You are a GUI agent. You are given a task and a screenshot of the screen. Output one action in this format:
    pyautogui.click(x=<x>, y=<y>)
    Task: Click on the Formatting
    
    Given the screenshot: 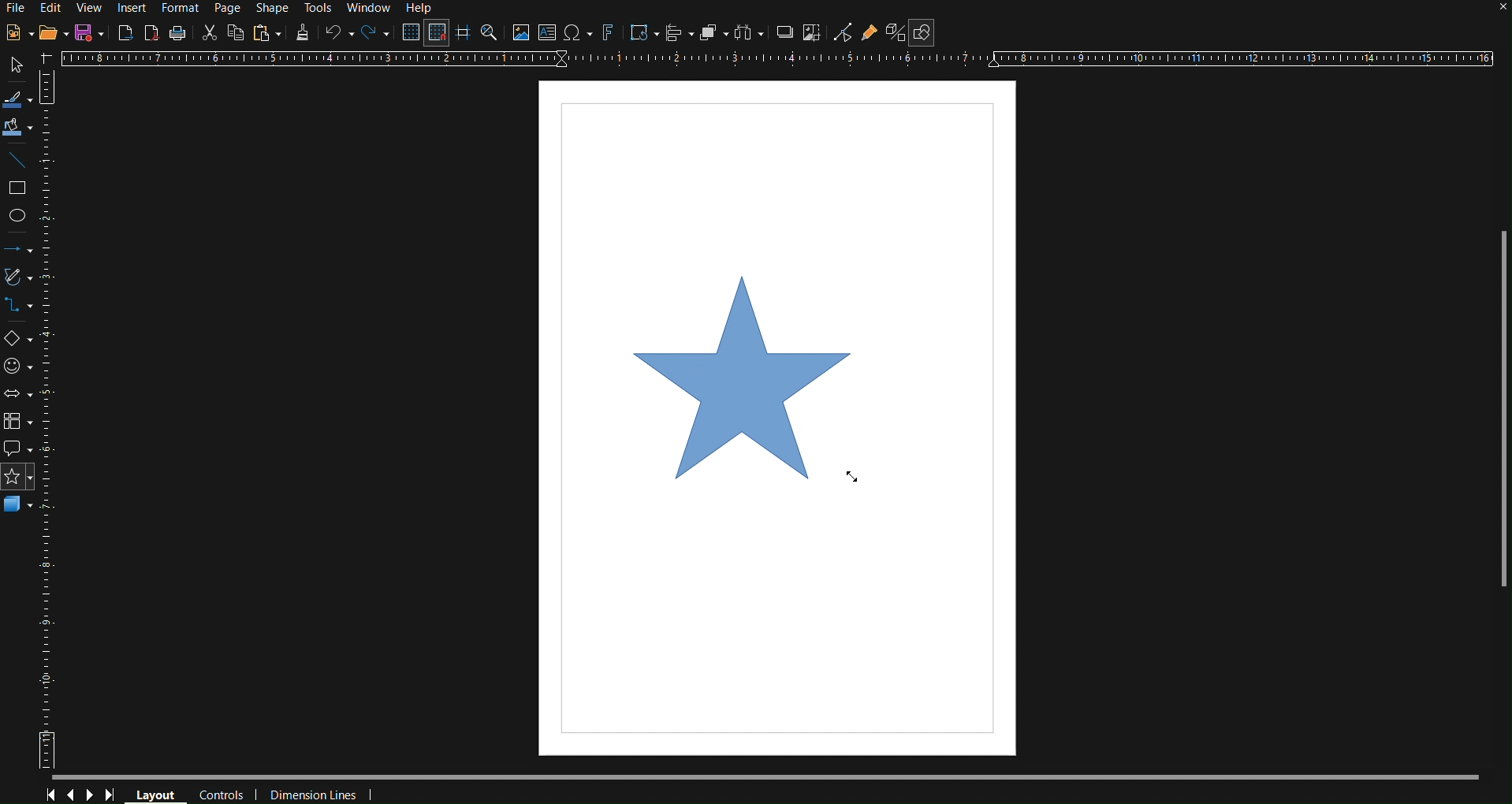 What is the action you would take?
    pyautogui.click(x=300, y=33)
    